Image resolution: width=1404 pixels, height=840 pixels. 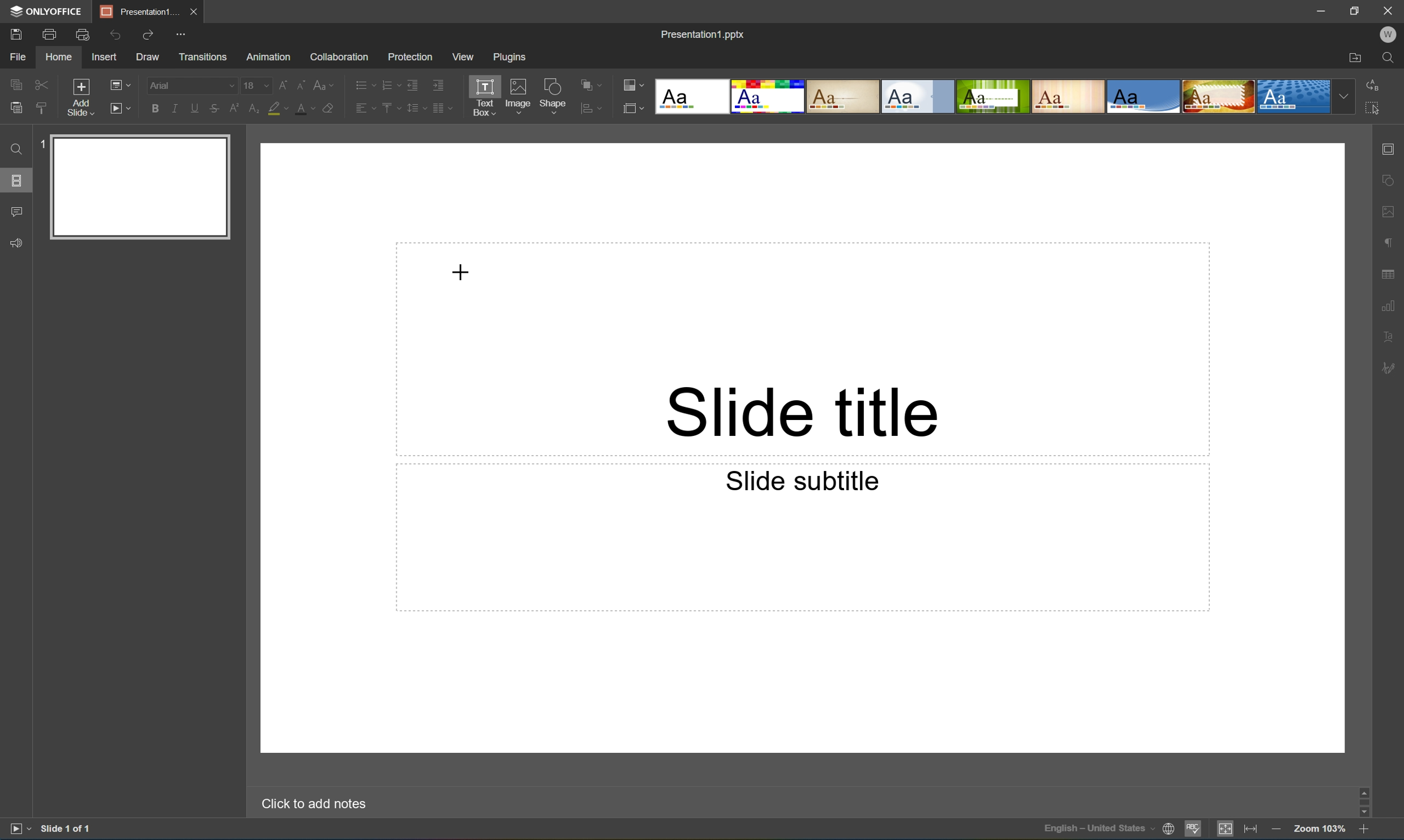 I want to click on Amazon, so click(x=269, y=55).